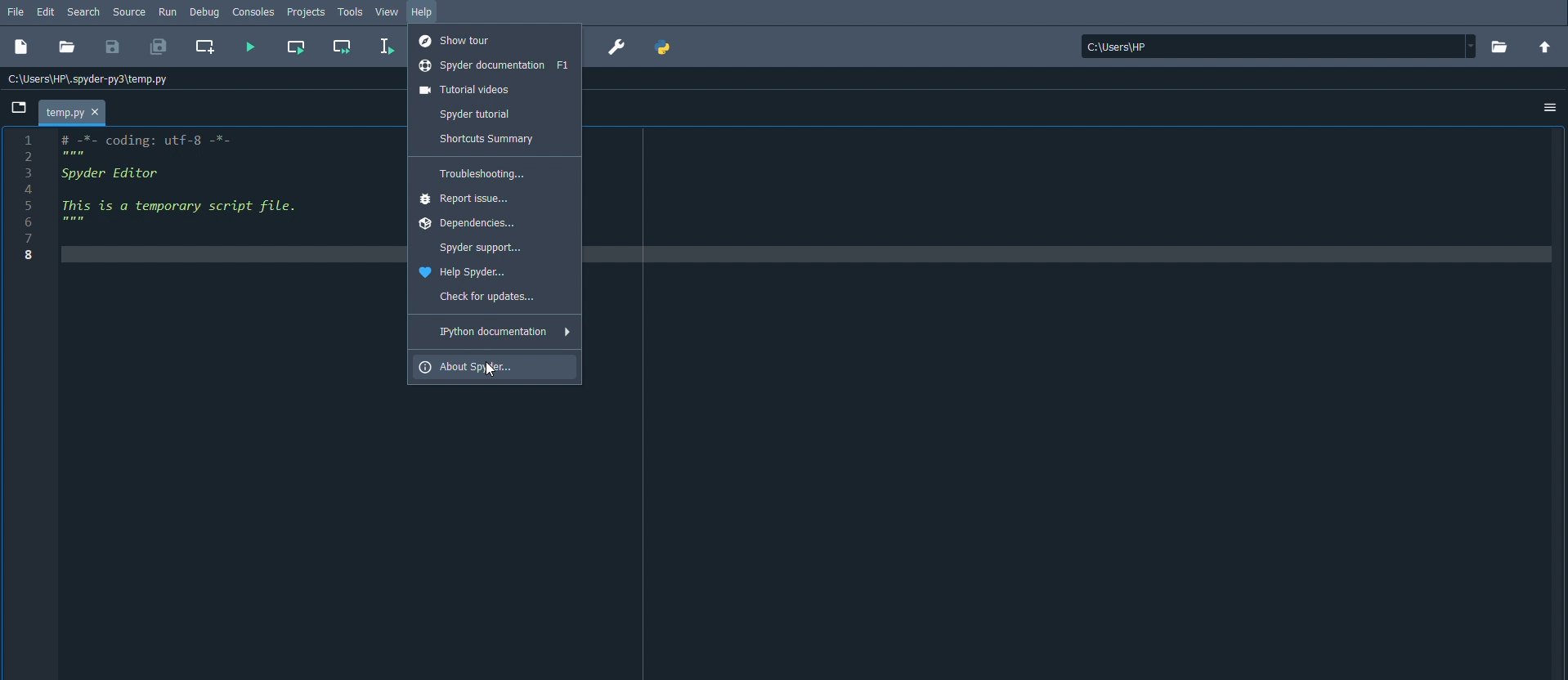 This screenshot has height=680, width=1568. I want to click on Tutorial videos, so click(469, 89).